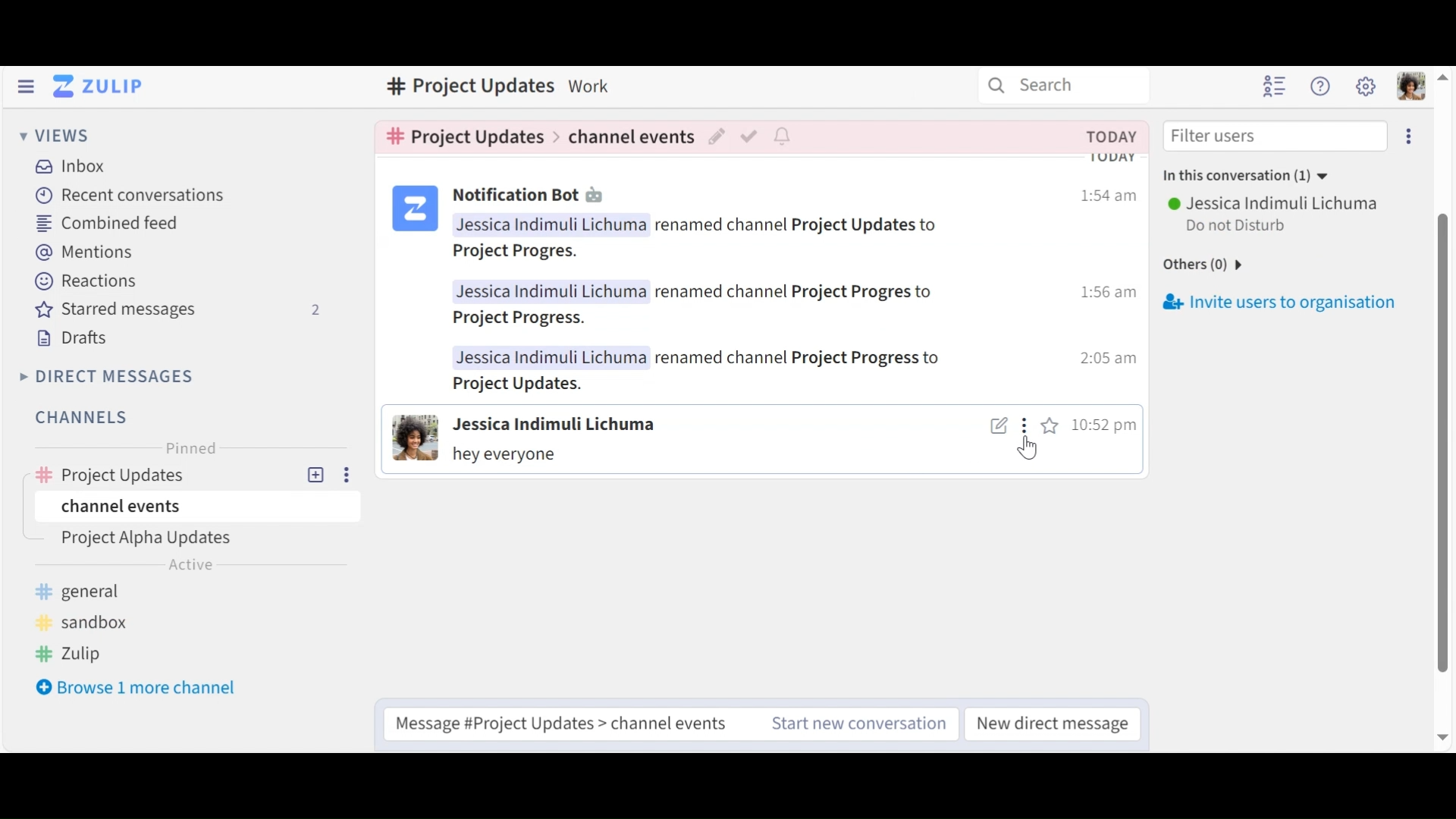 This screenshot has width=1456, height=819. What do you see at coordinates (102, 86) in the screenshot?
I see `Go to Home View` at bounding box center [102, 86].